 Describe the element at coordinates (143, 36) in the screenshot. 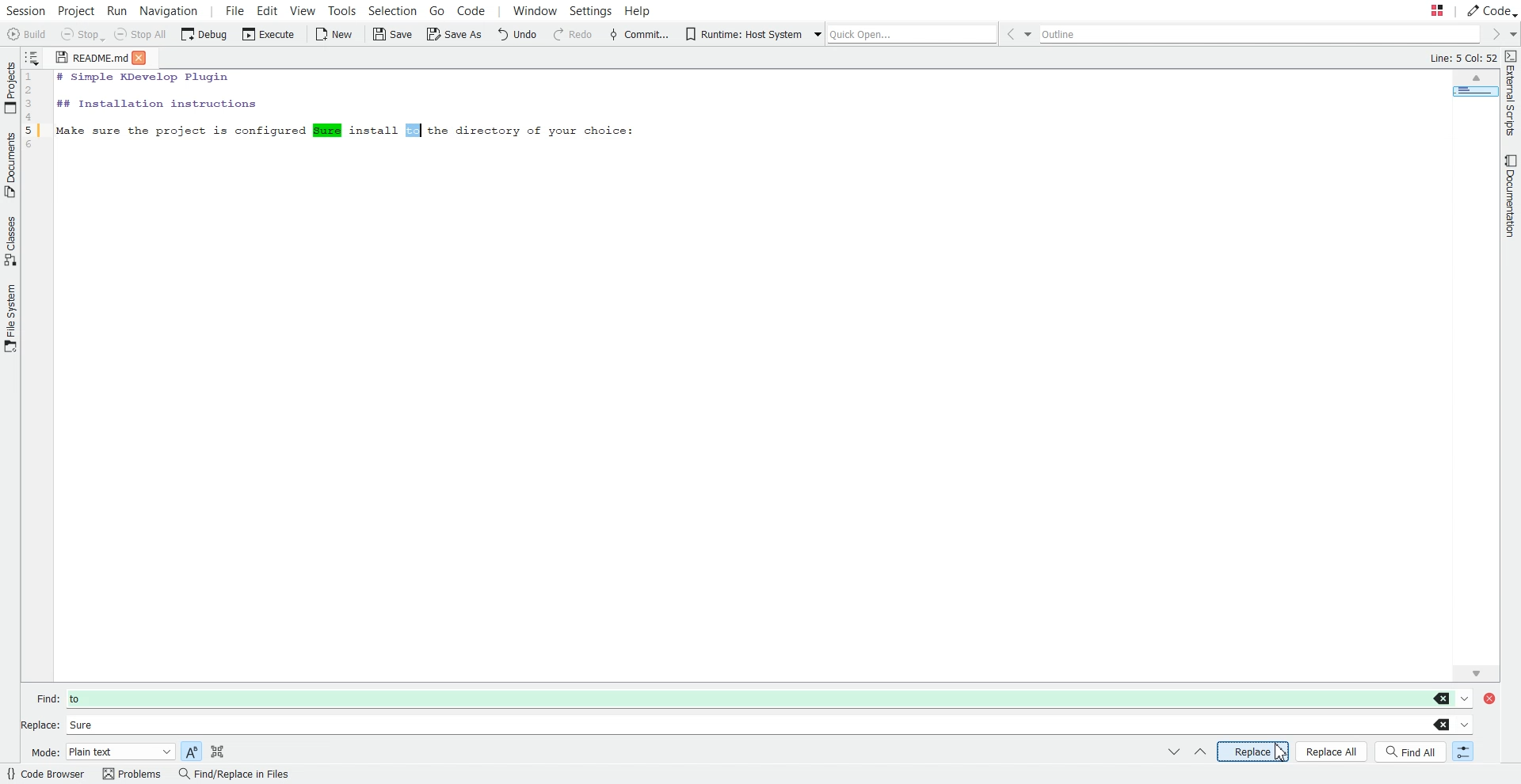

I see `Stop All` at that location.